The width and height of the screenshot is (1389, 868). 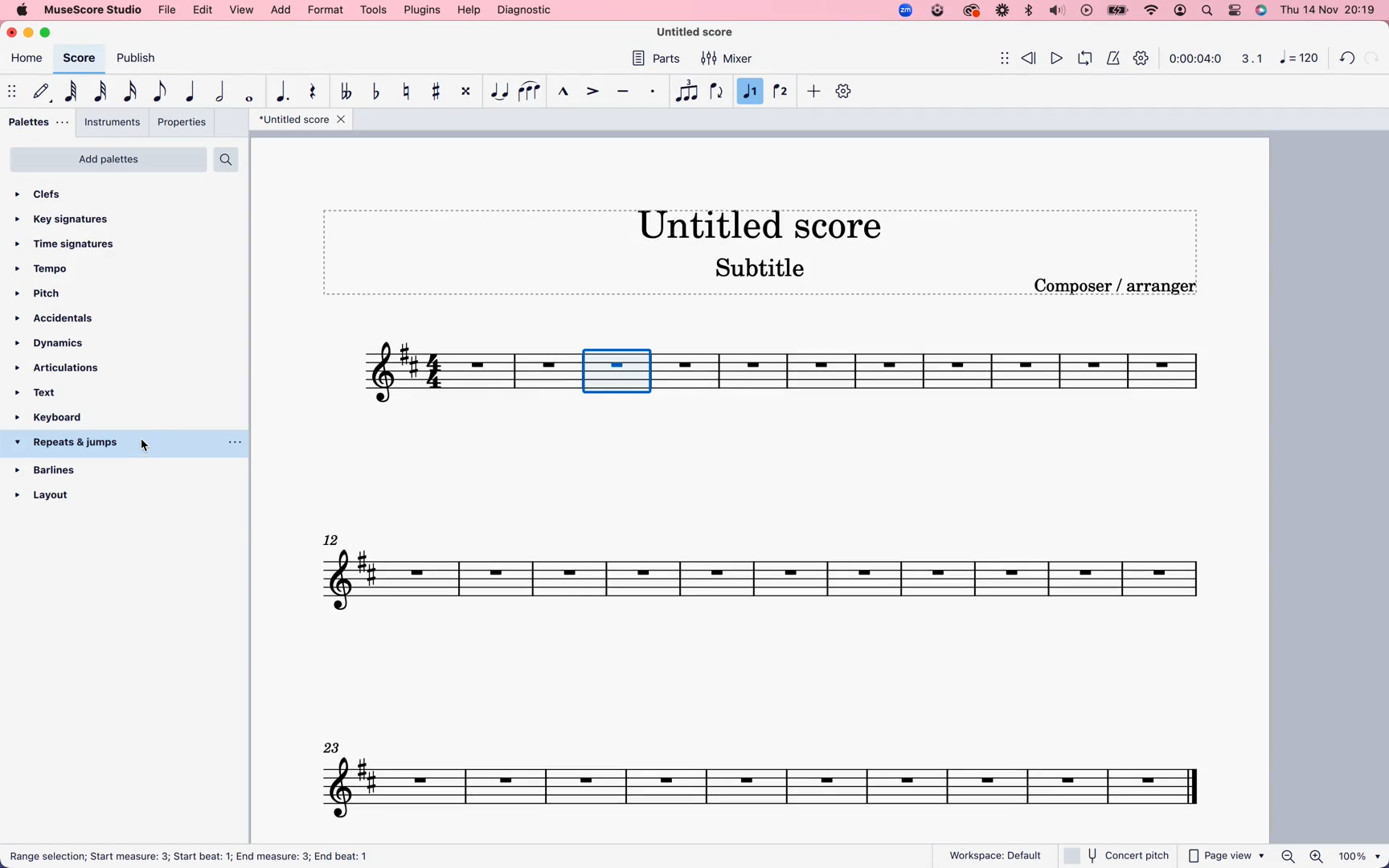 I want to click on accidentals, so click(x=59, y=318).